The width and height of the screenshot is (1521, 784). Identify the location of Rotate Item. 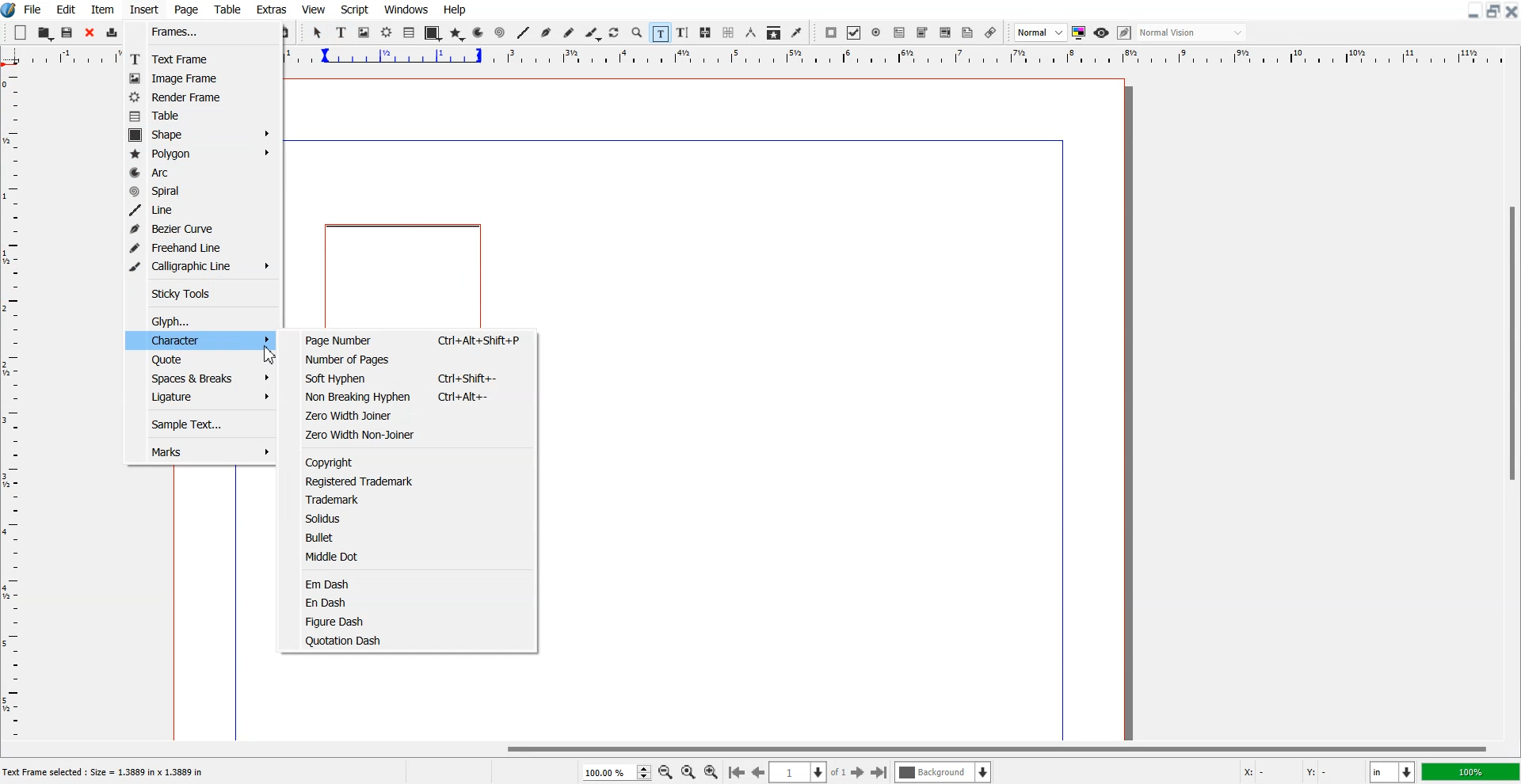
(616, 33).